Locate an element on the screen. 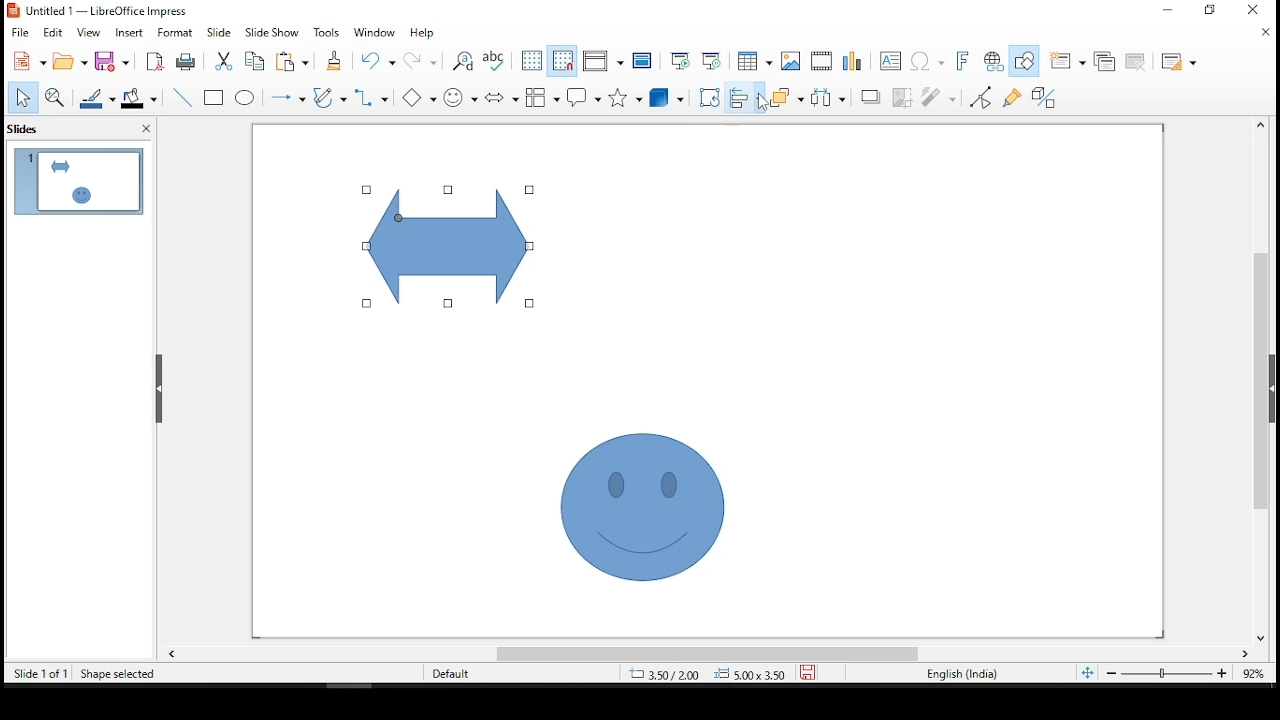  delete slide is located at coordinates (1135, 62).